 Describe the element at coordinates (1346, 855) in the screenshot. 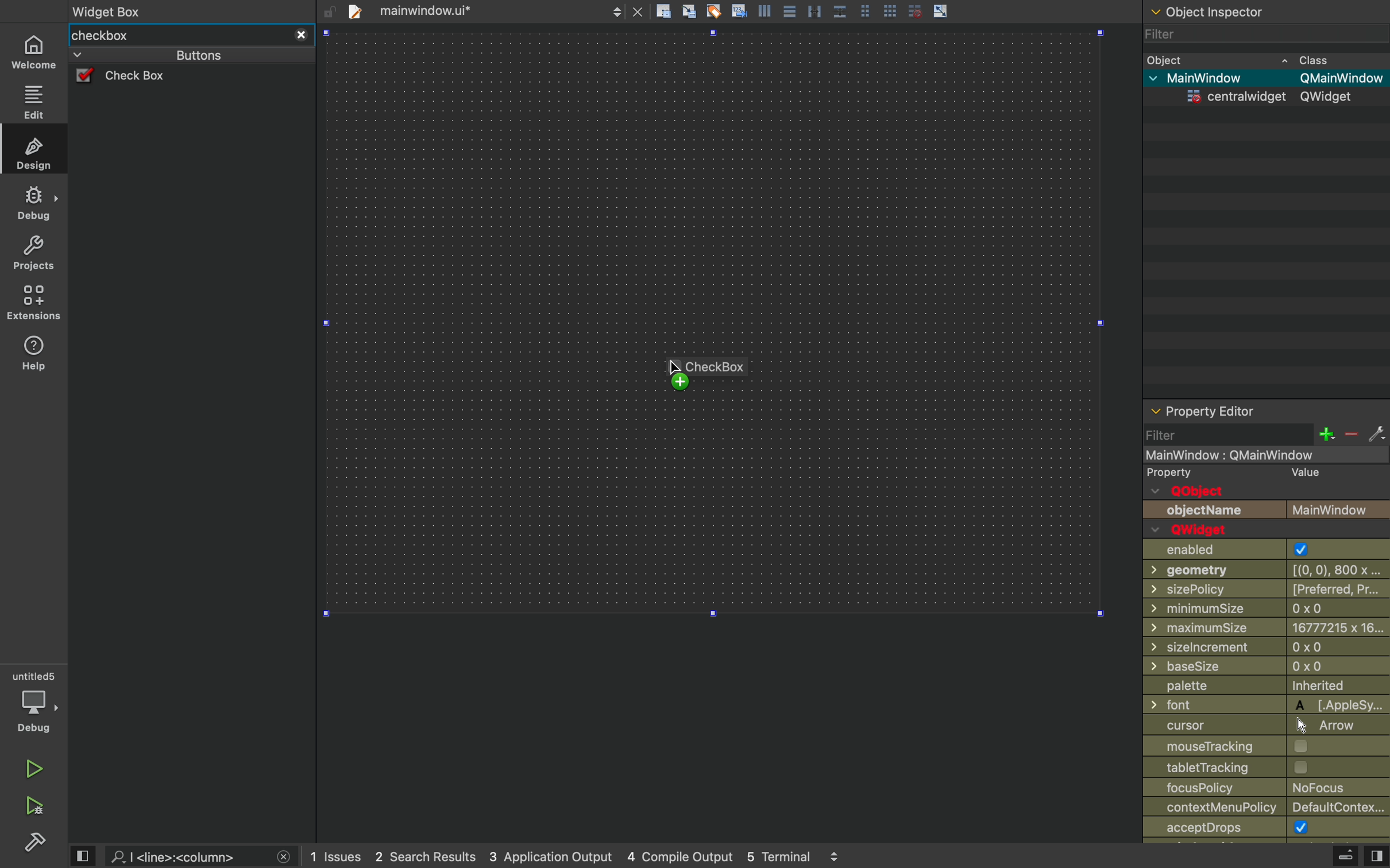

I see `extrude` at that location.